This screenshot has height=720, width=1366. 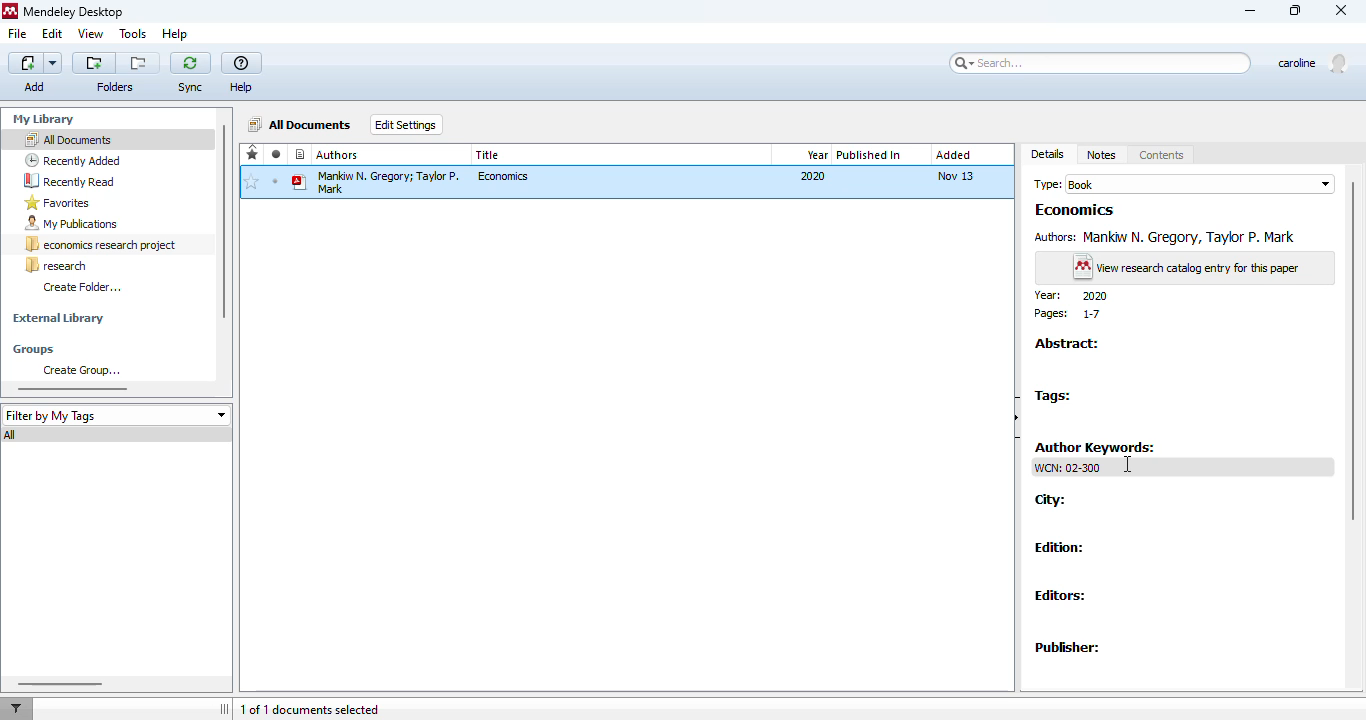 I want to click on profile, so click(x=1316, y=62).